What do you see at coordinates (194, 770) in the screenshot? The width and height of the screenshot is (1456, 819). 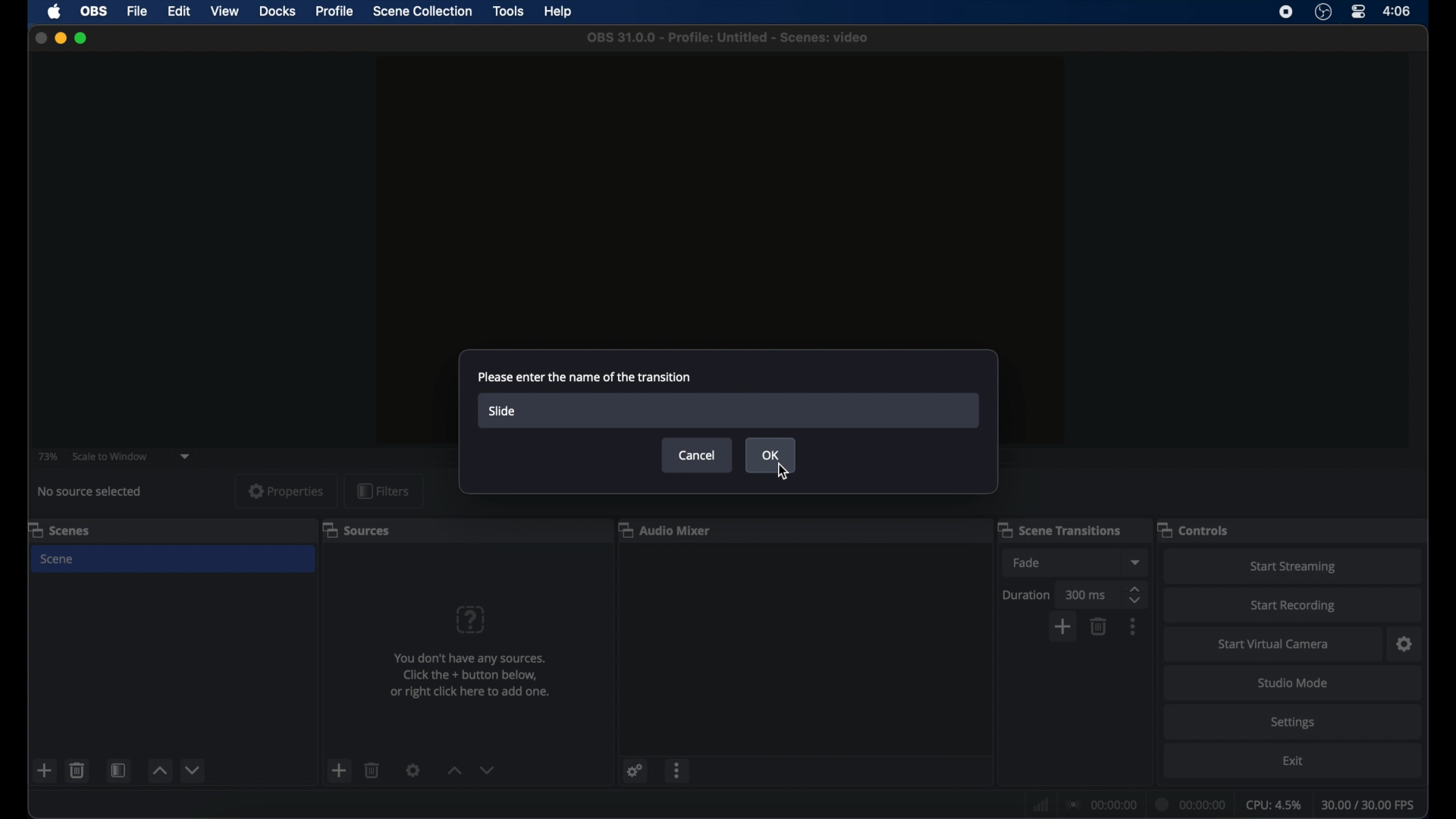 I see `decrement` at bounding box center [194, 770].